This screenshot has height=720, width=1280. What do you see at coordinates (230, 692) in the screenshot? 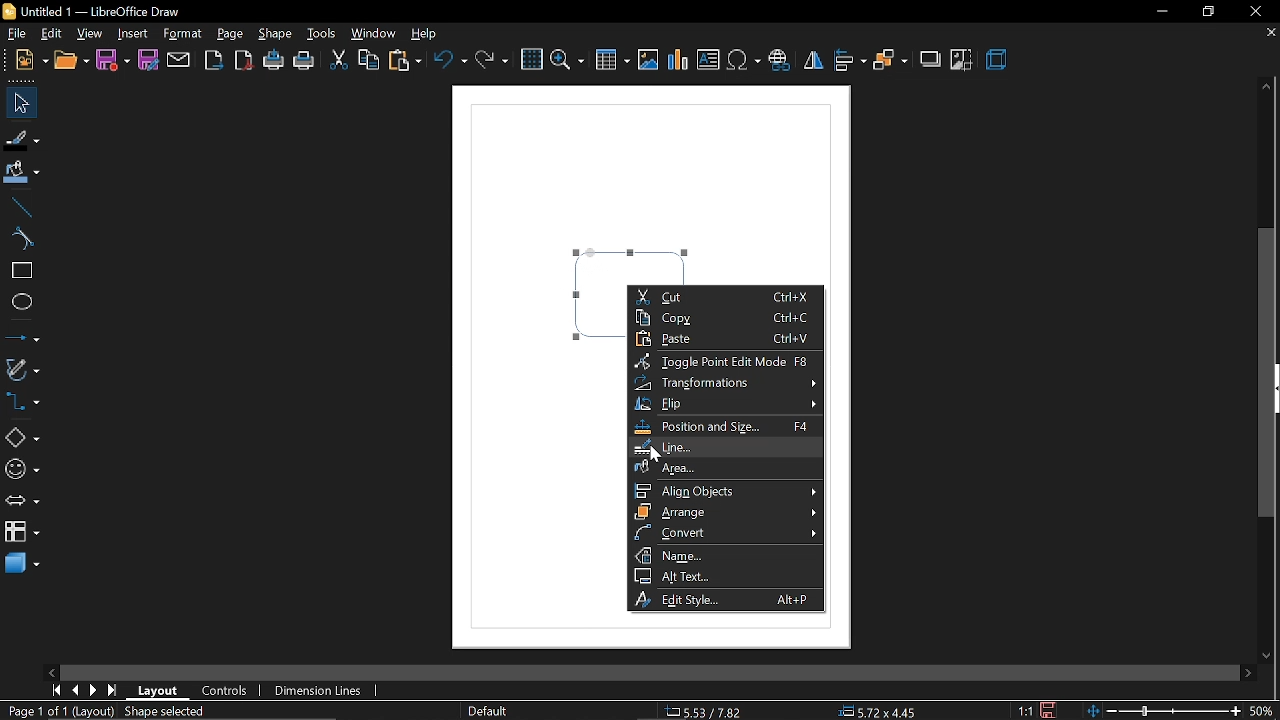
I see `controls` at bounding box center [230, 692].